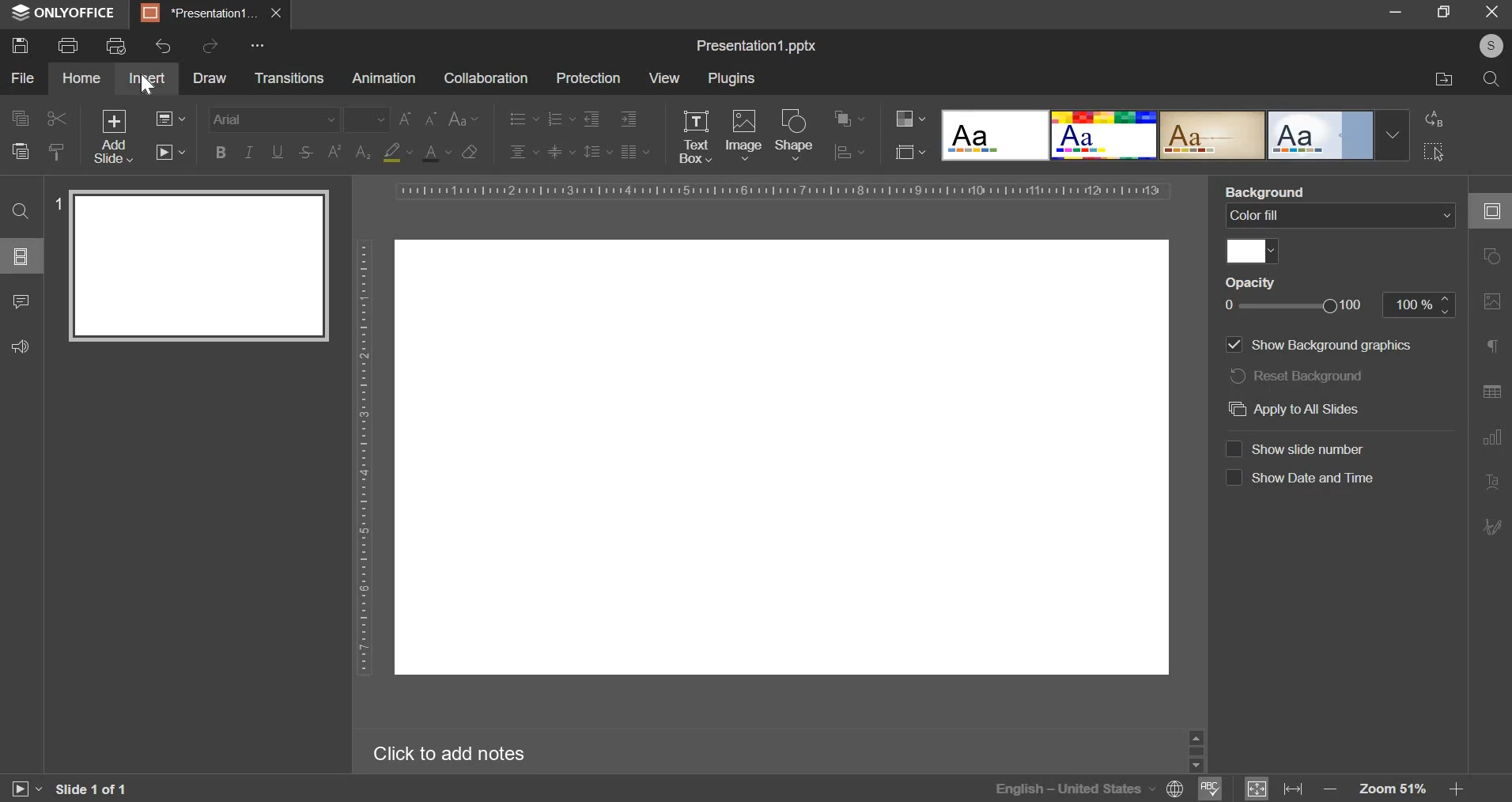  Describe the element at coordinates (199, 13) in the screenshot. I see `presentation tab` at that location.